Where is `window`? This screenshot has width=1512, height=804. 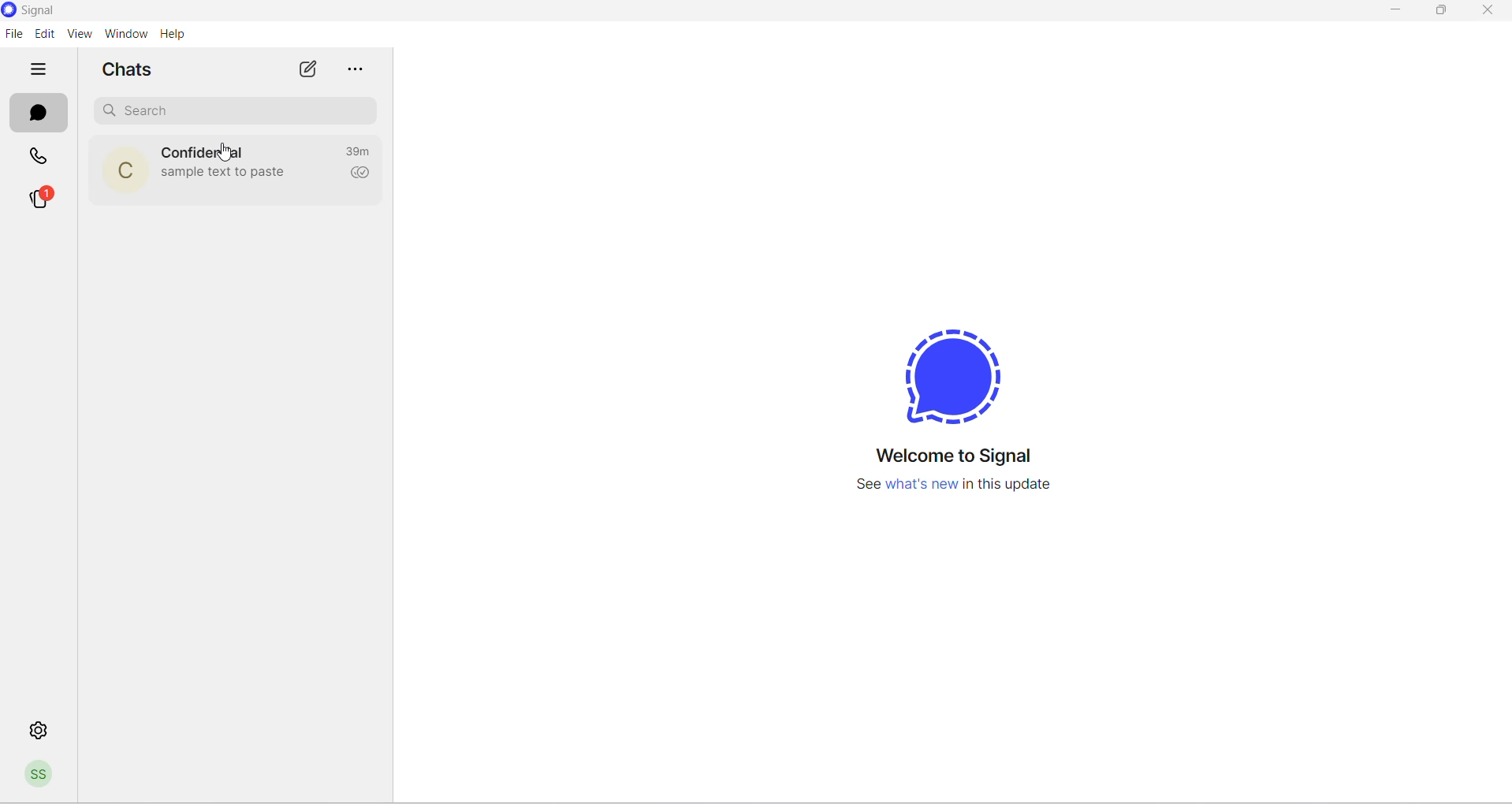 window is located at coordinates (125, 35).